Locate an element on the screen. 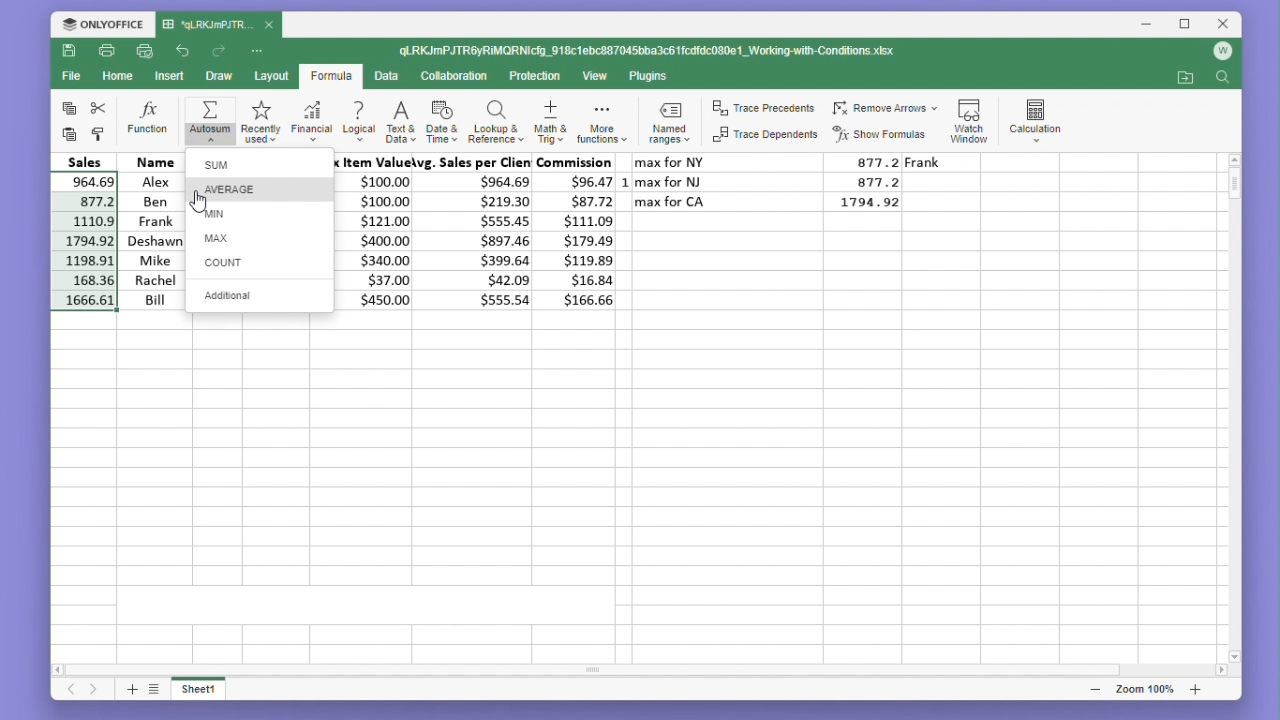  Save  is located at coordinates (68, 50).